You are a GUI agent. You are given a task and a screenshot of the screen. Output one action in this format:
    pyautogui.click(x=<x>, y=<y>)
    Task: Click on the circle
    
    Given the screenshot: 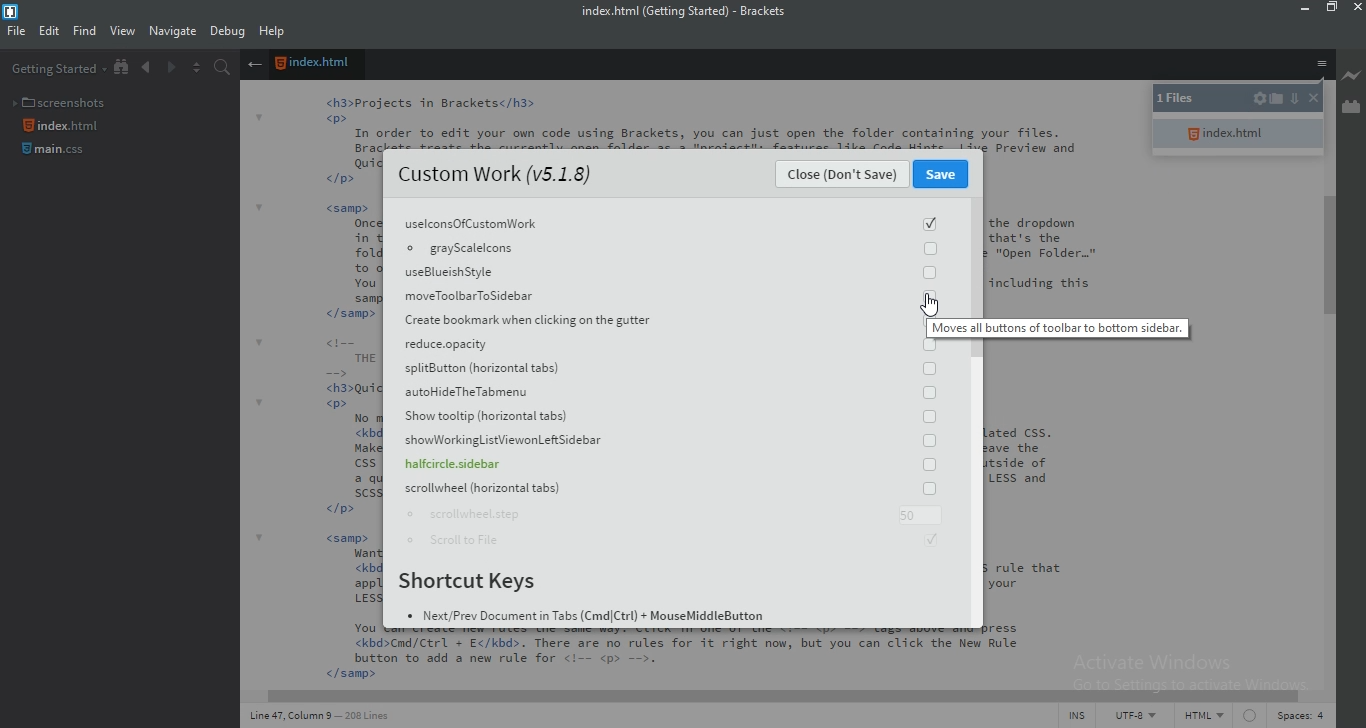 What is the action you would take?
    pyautogui.click(x=1248, y=718)
    